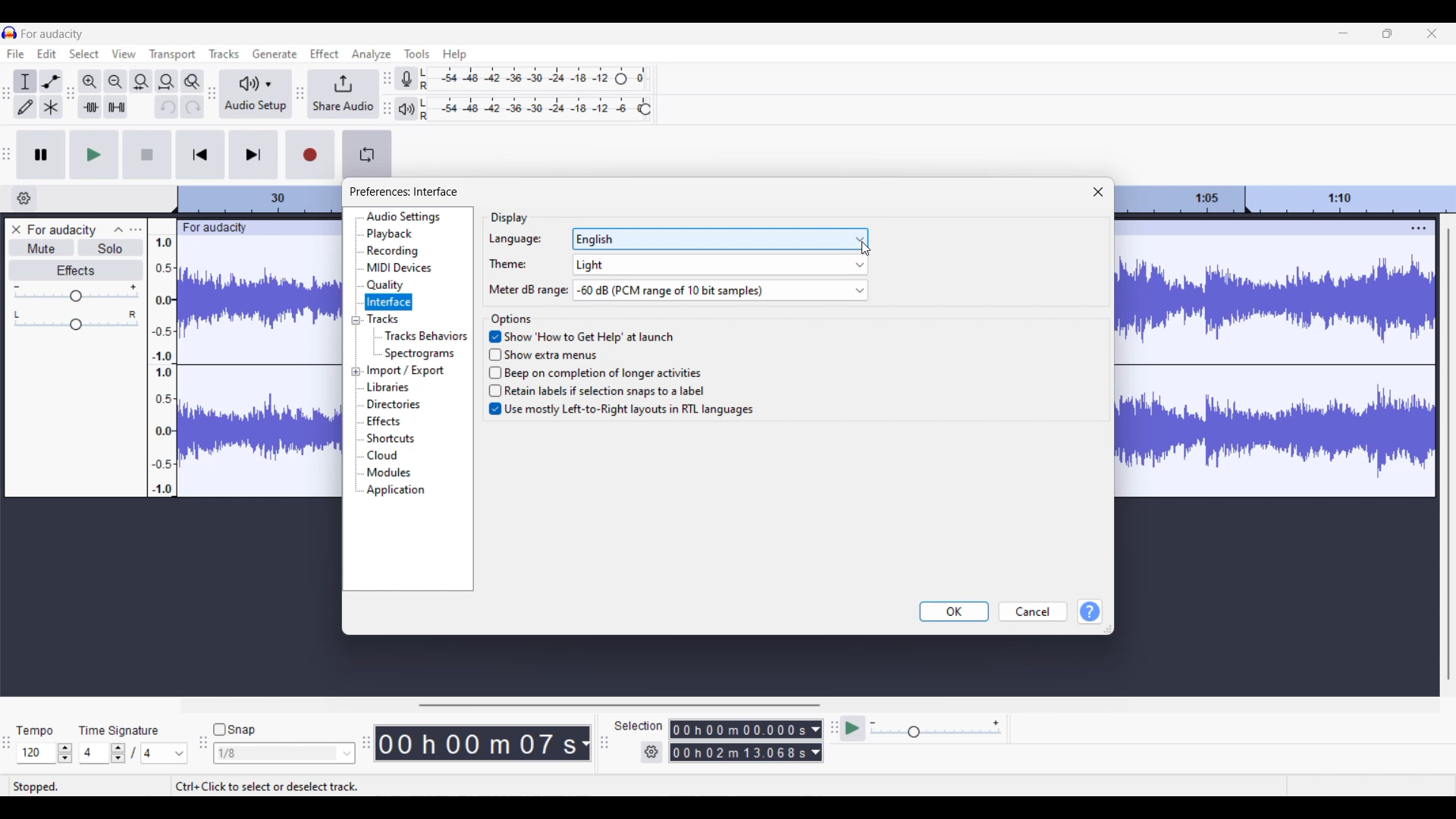 This screenshot has width=1456, height=819. What do you see at coordinates (194, 106) in the screenshot?
I see `Redo` at bounding box center [194, 106].